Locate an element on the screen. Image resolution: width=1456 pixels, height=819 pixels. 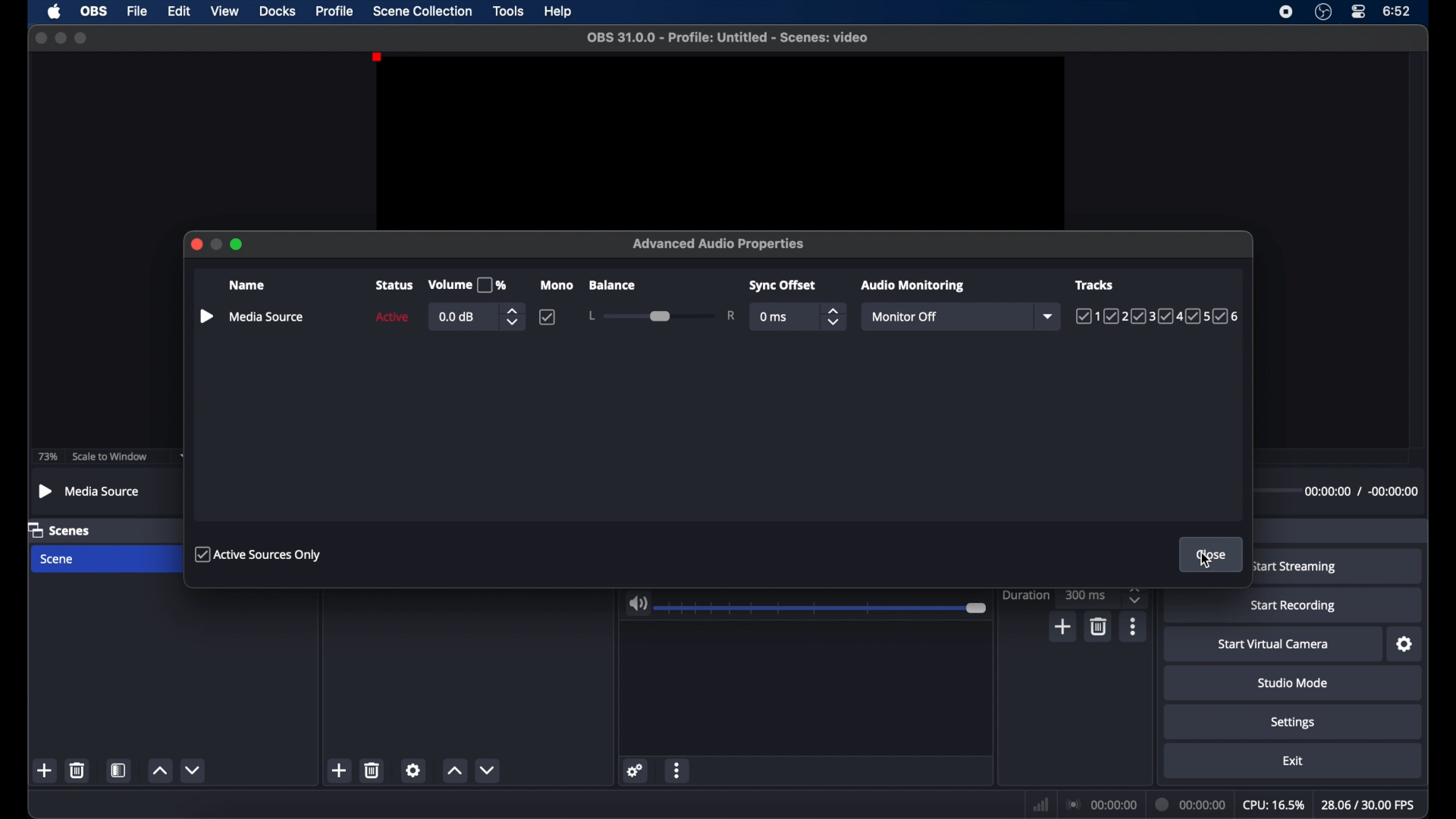
stepper buttons is located at coordinates (1137, 595).